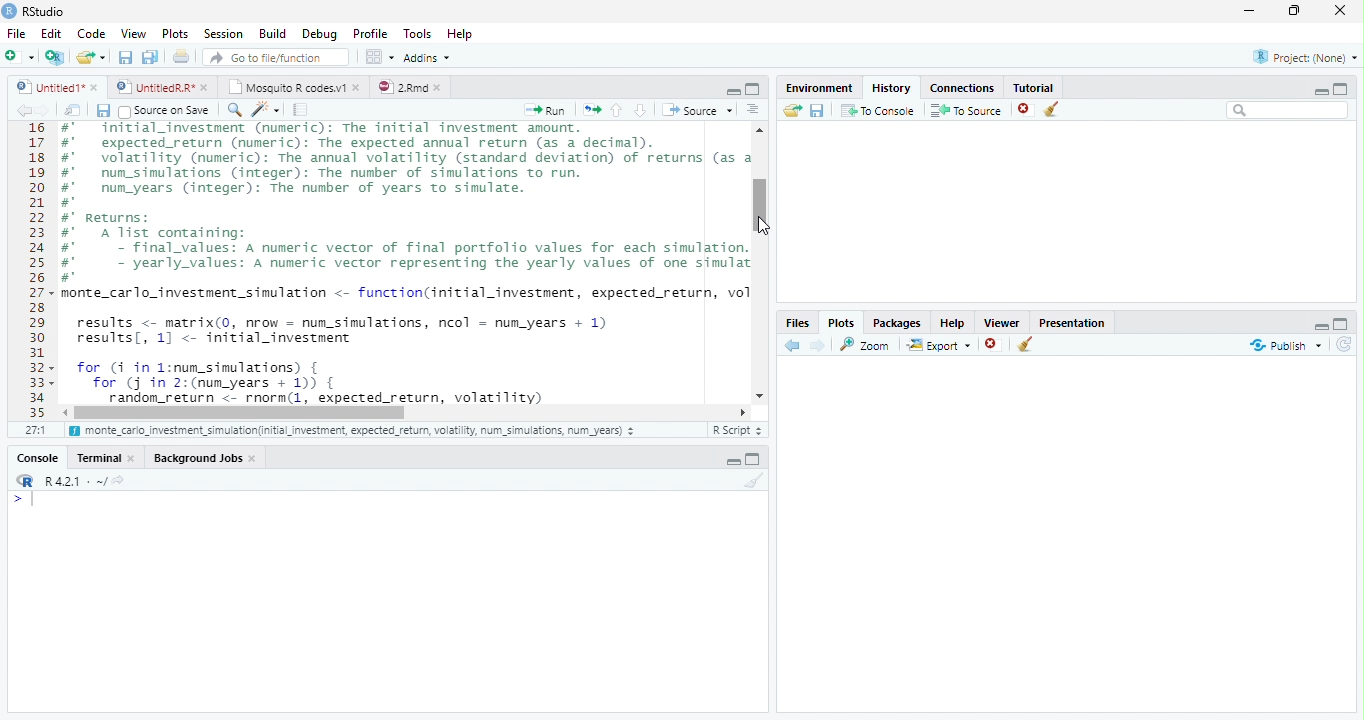  I want to click on Source on save, so click(166, 111).